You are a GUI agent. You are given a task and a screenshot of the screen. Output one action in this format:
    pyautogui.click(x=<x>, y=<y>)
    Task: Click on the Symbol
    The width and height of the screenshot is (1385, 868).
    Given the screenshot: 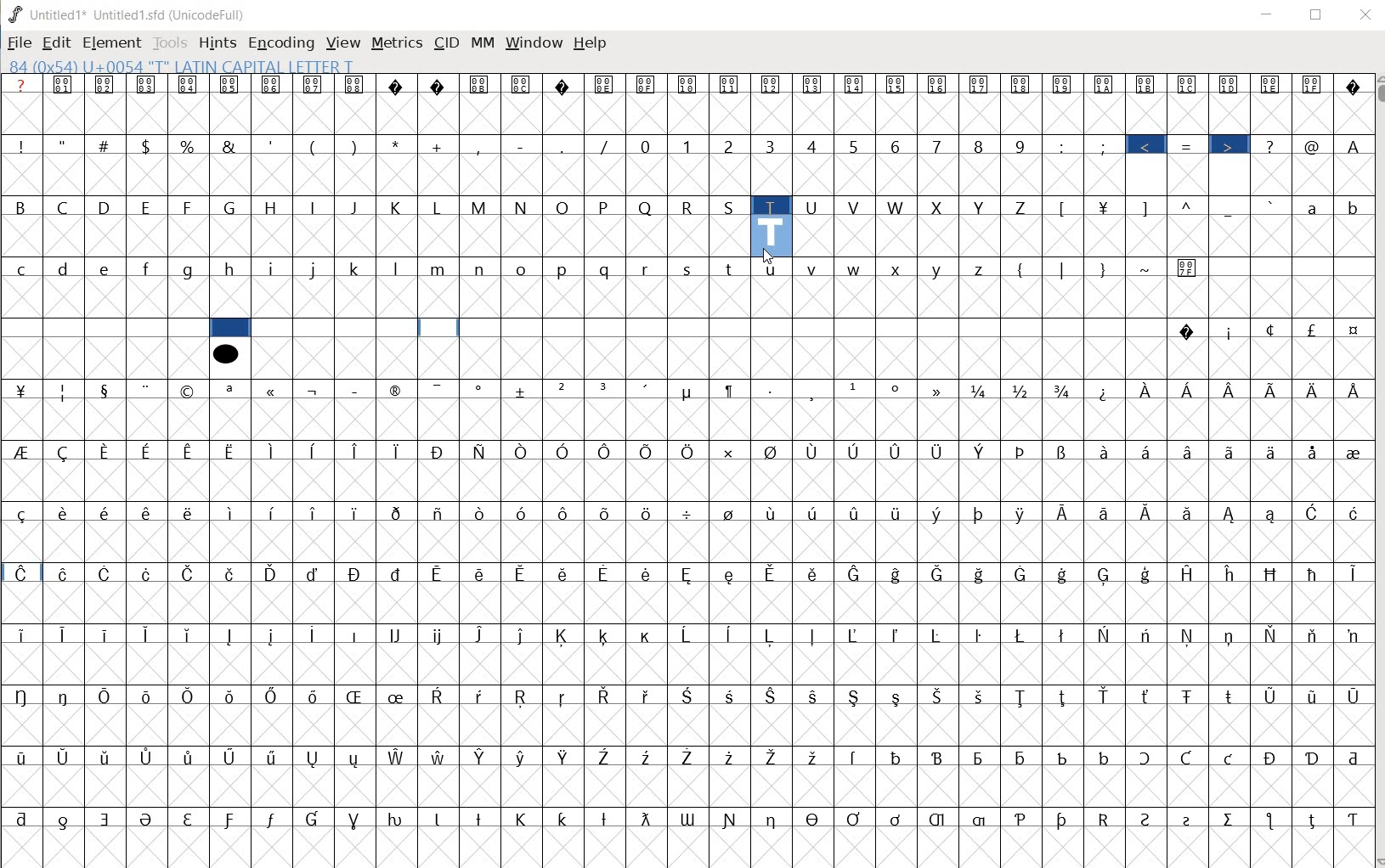 What is the action you would take?
    pyautogui.click(x=440, y=817)
    